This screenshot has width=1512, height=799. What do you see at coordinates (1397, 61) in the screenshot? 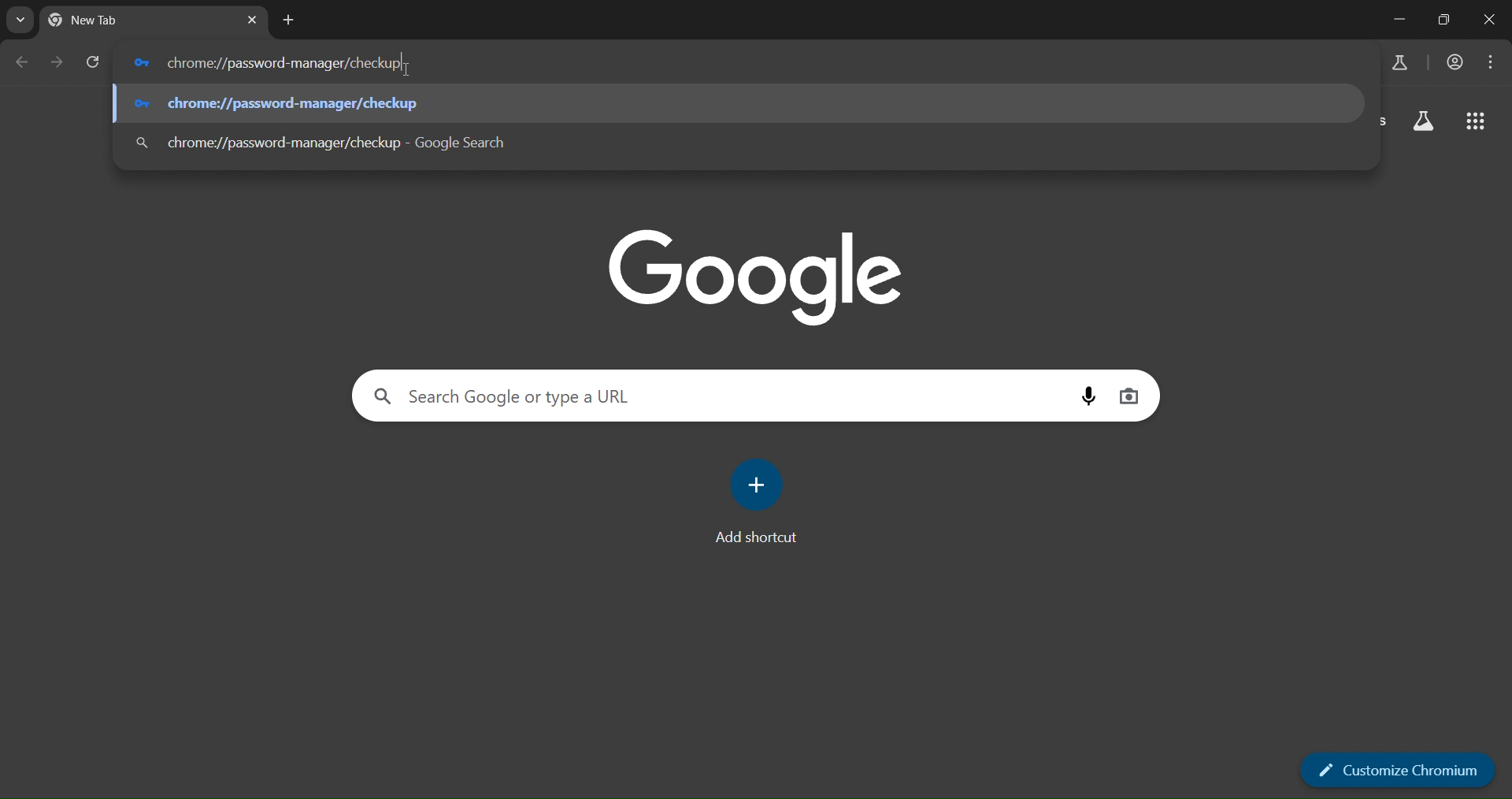
I see `search labs` at bounding box center [1397, 61].